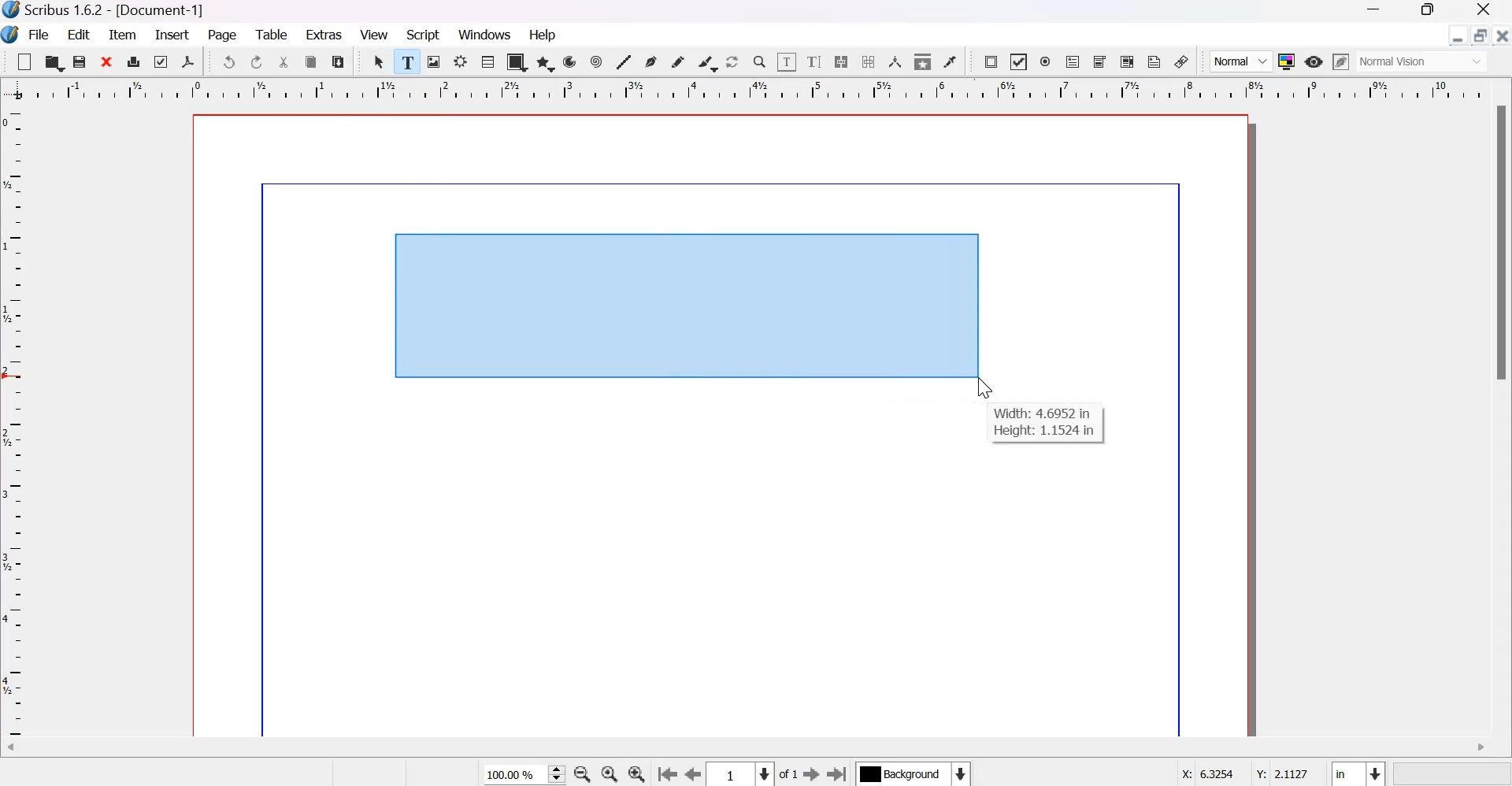 This screenshot has width=1512, height=786. Describe the element at coordinates (110, 11) in the screenshot. I see `Scribus 1.6.2 - [Document-1]` at that location.